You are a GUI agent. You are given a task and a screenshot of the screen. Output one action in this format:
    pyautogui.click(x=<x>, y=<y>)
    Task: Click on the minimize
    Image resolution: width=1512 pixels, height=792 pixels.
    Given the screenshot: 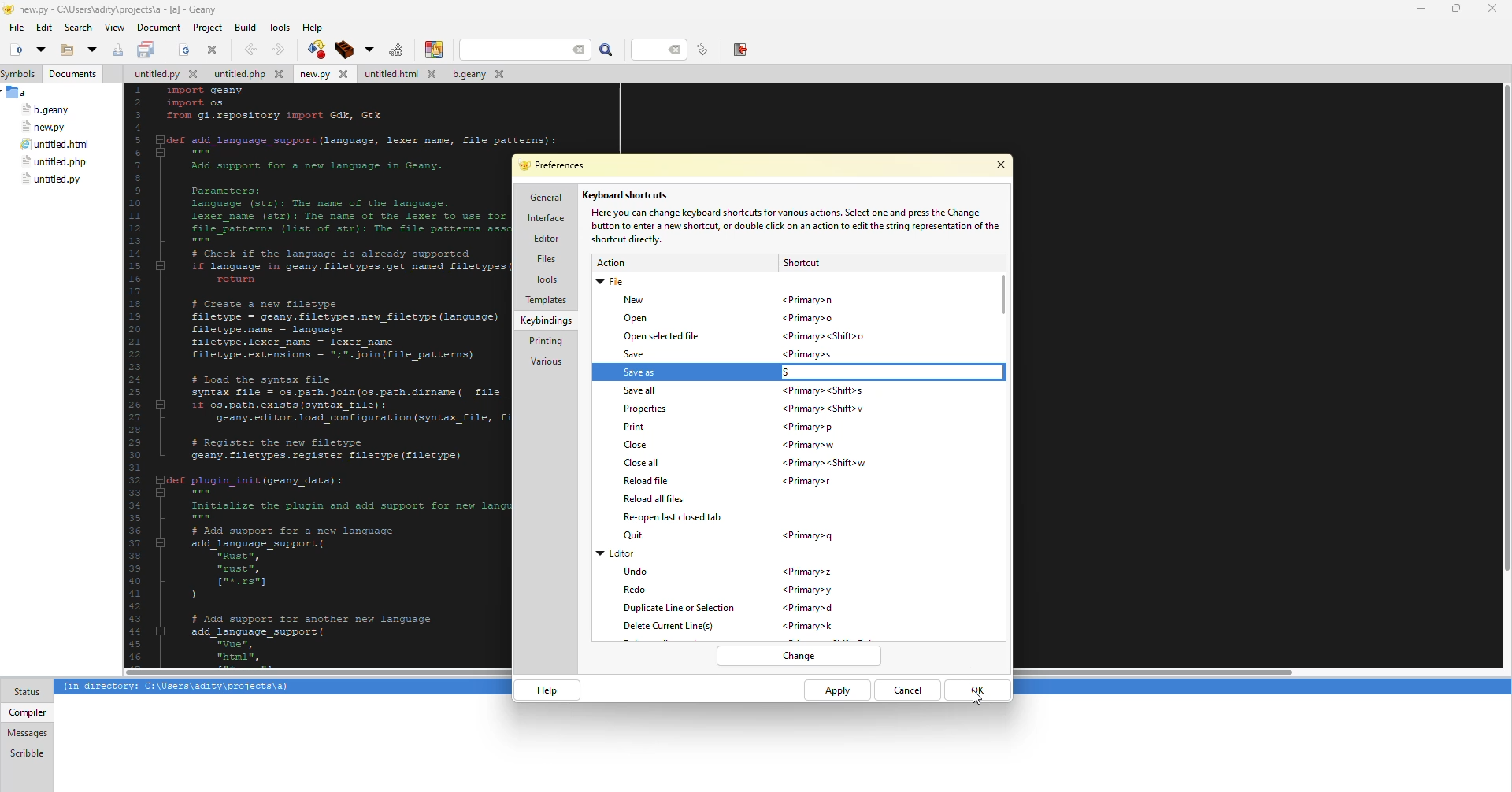 What is the action you would take?
    pyautogui.click(x=1418, y=9)
    